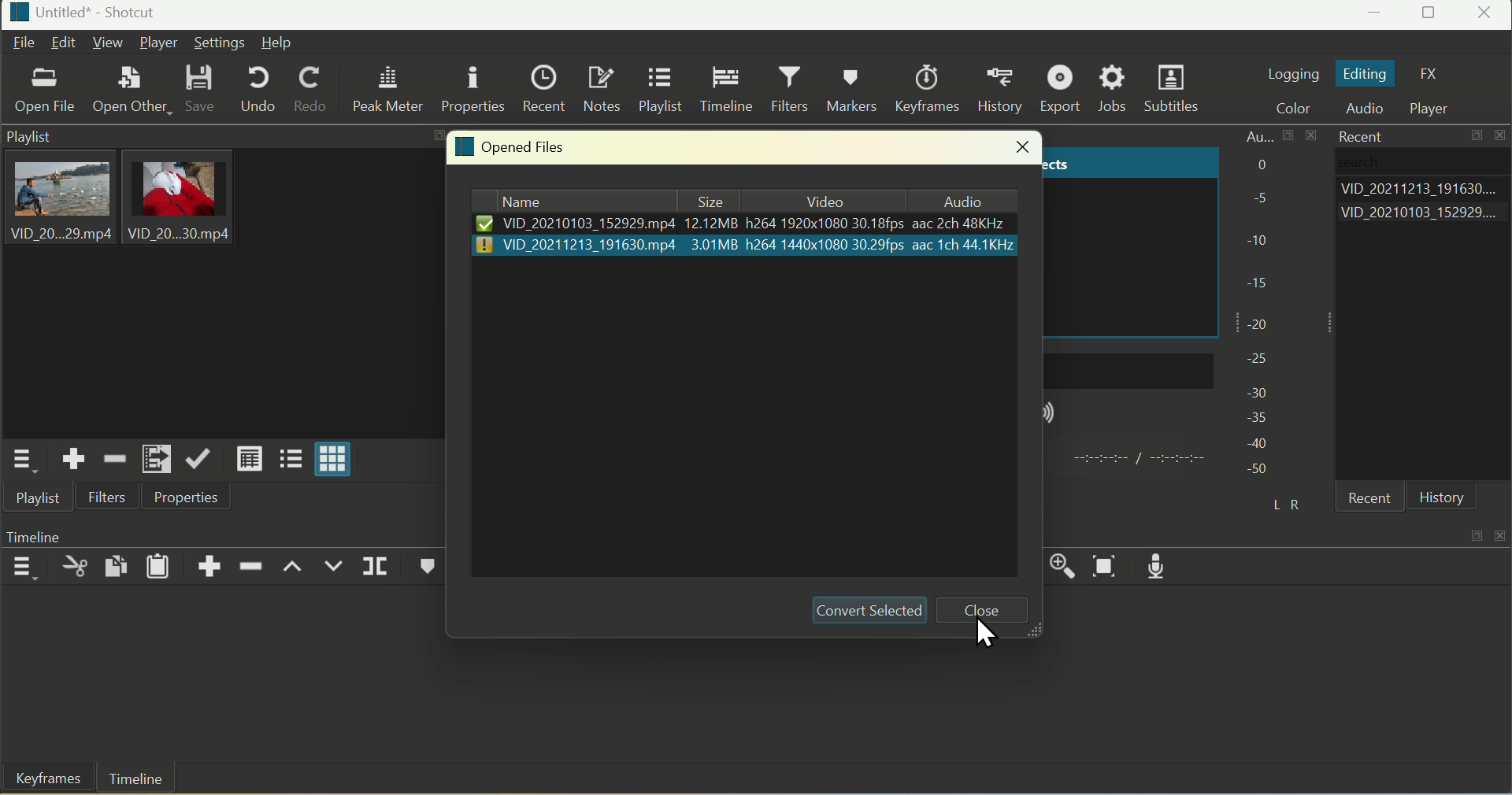  What do you see at coordinates (41, 499) in the screenshot?
I see `Playlist` at bounding box center [41, 499].